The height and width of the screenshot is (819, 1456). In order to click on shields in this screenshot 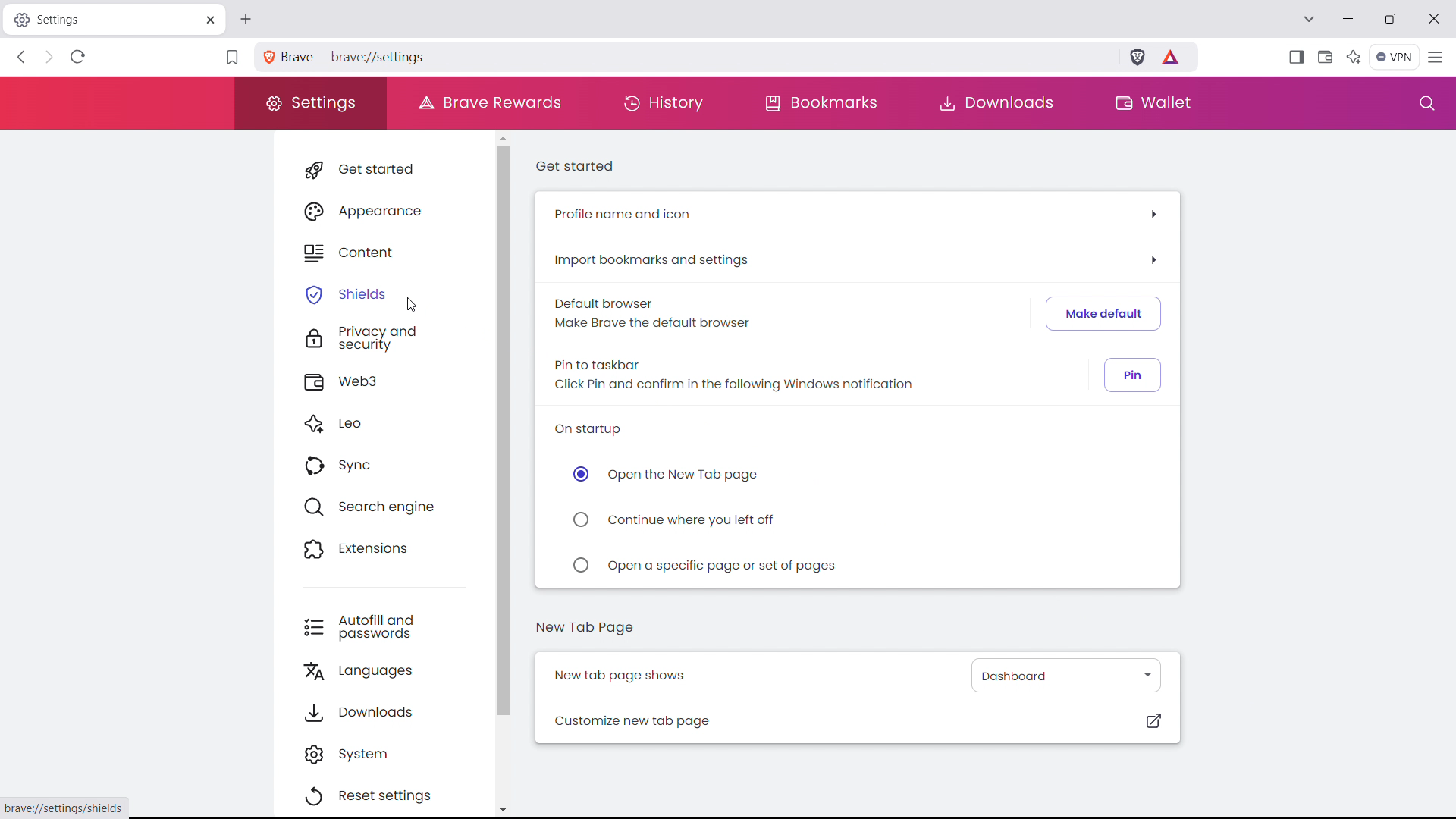, I will do `click(384, 292)`.